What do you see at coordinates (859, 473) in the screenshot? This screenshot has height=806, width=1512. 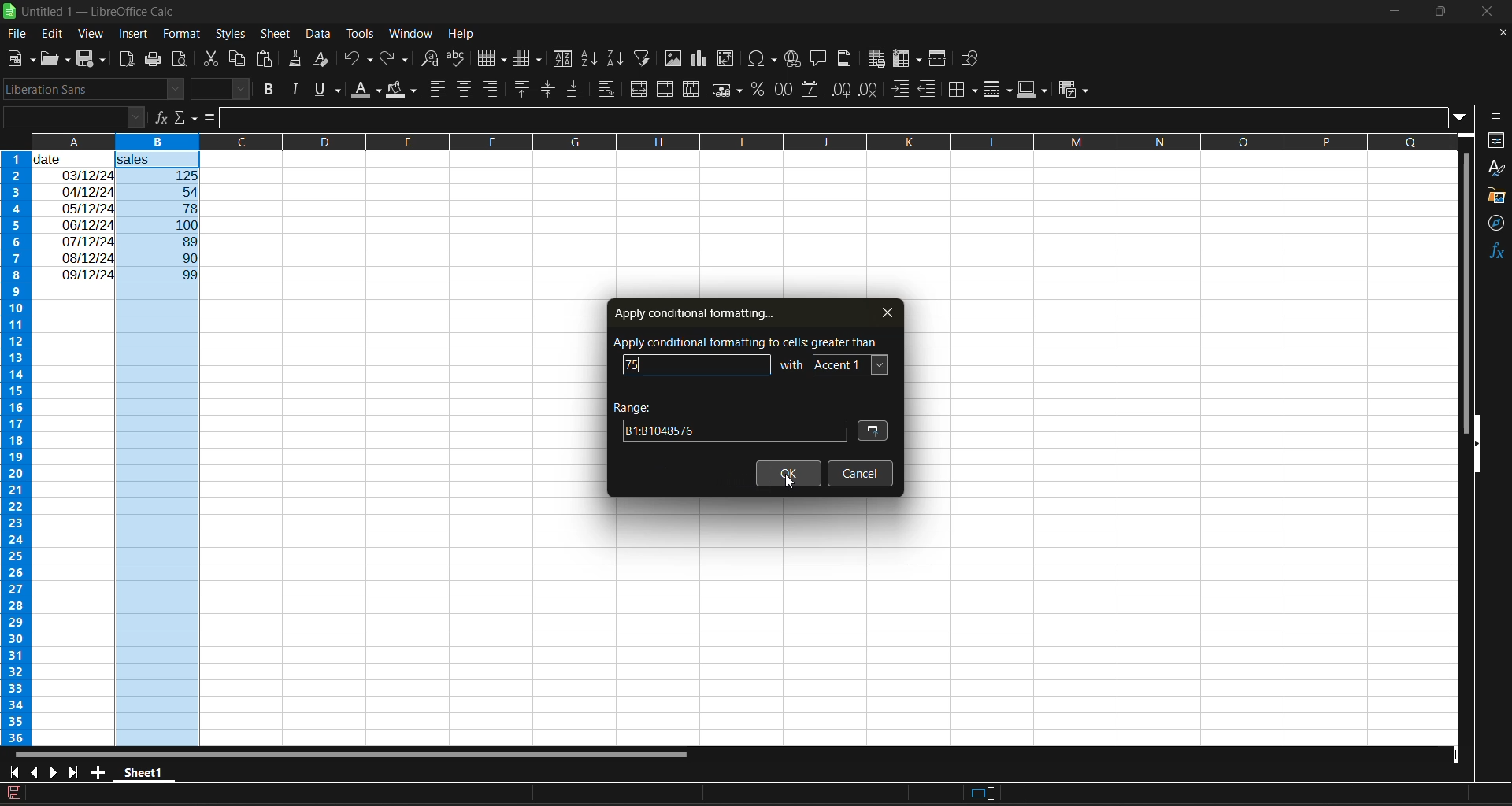 I see `cancel` at bounding box center [859, 473].